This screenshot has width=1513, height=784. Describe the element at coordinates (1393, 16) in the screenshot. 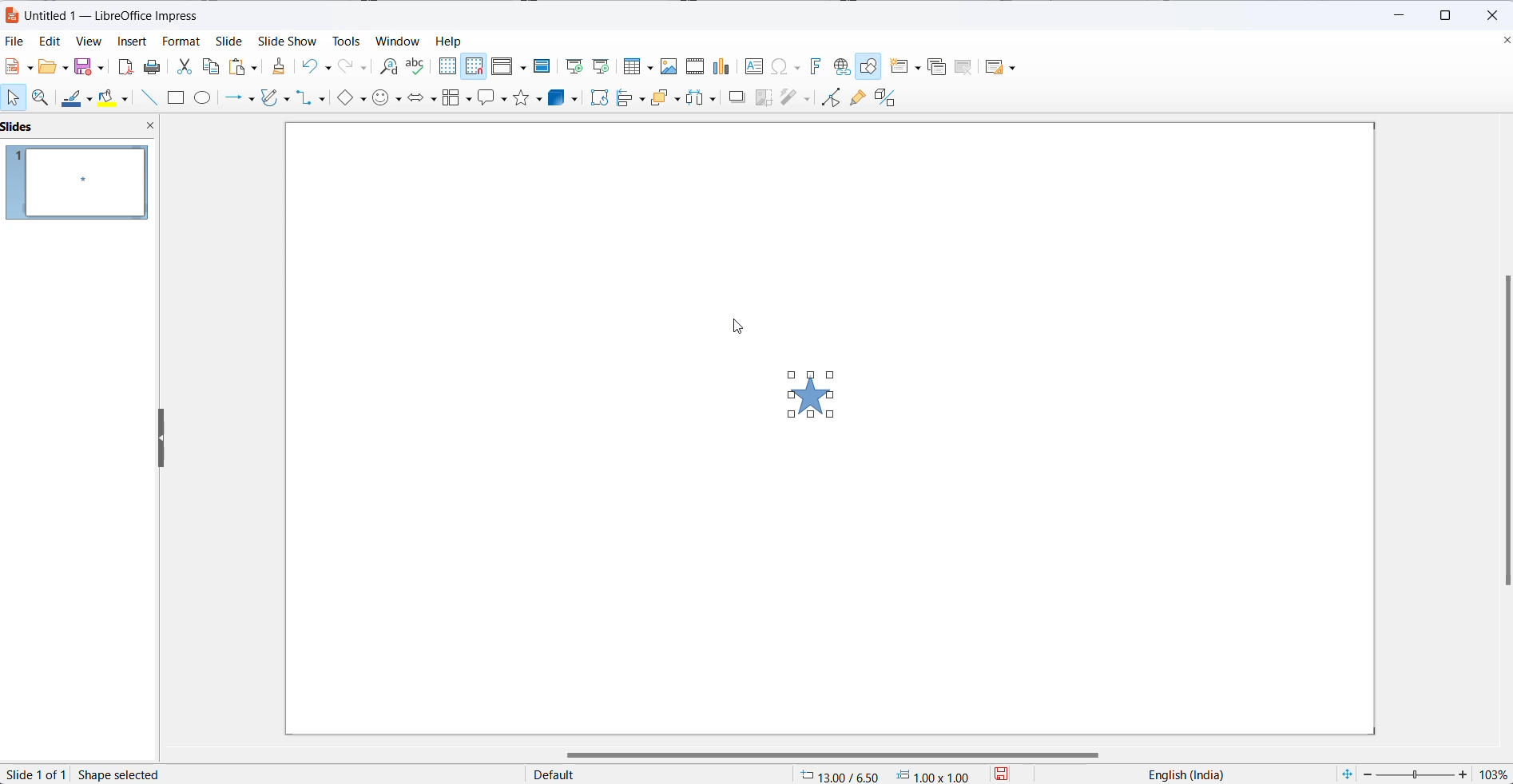

I see `minimize` at that location.